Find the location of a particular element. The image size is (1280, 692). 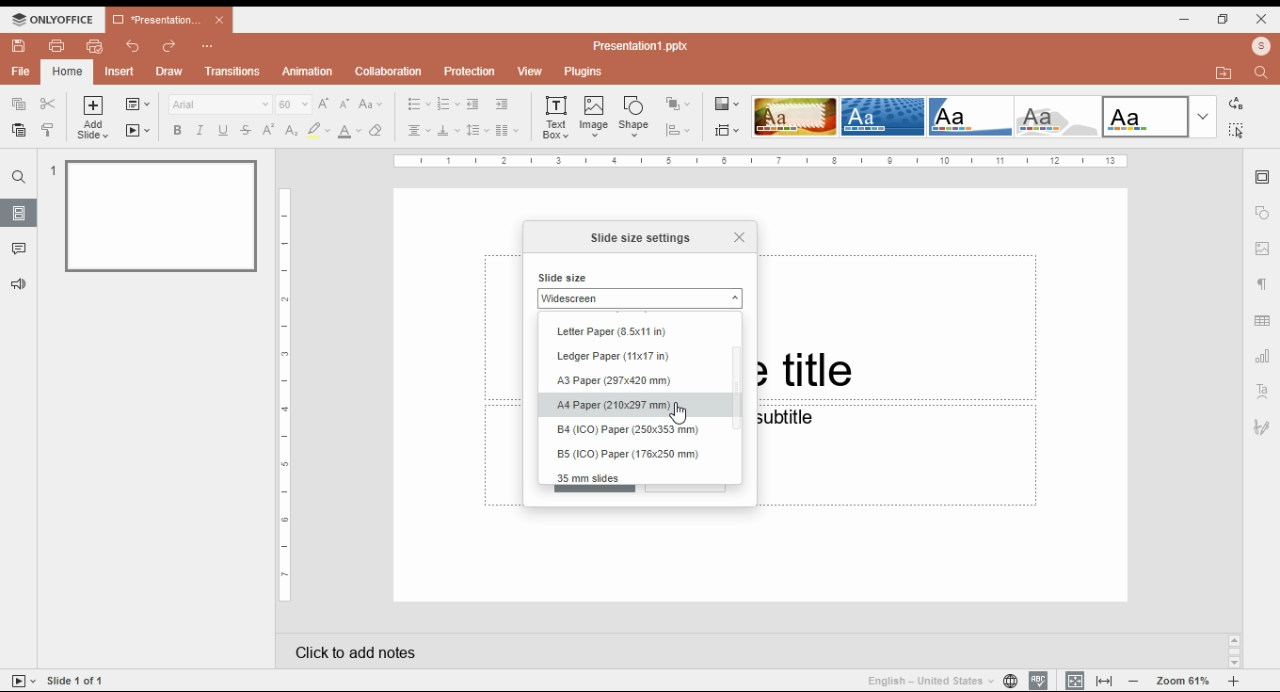

comments is located at coordinates (19, 249).